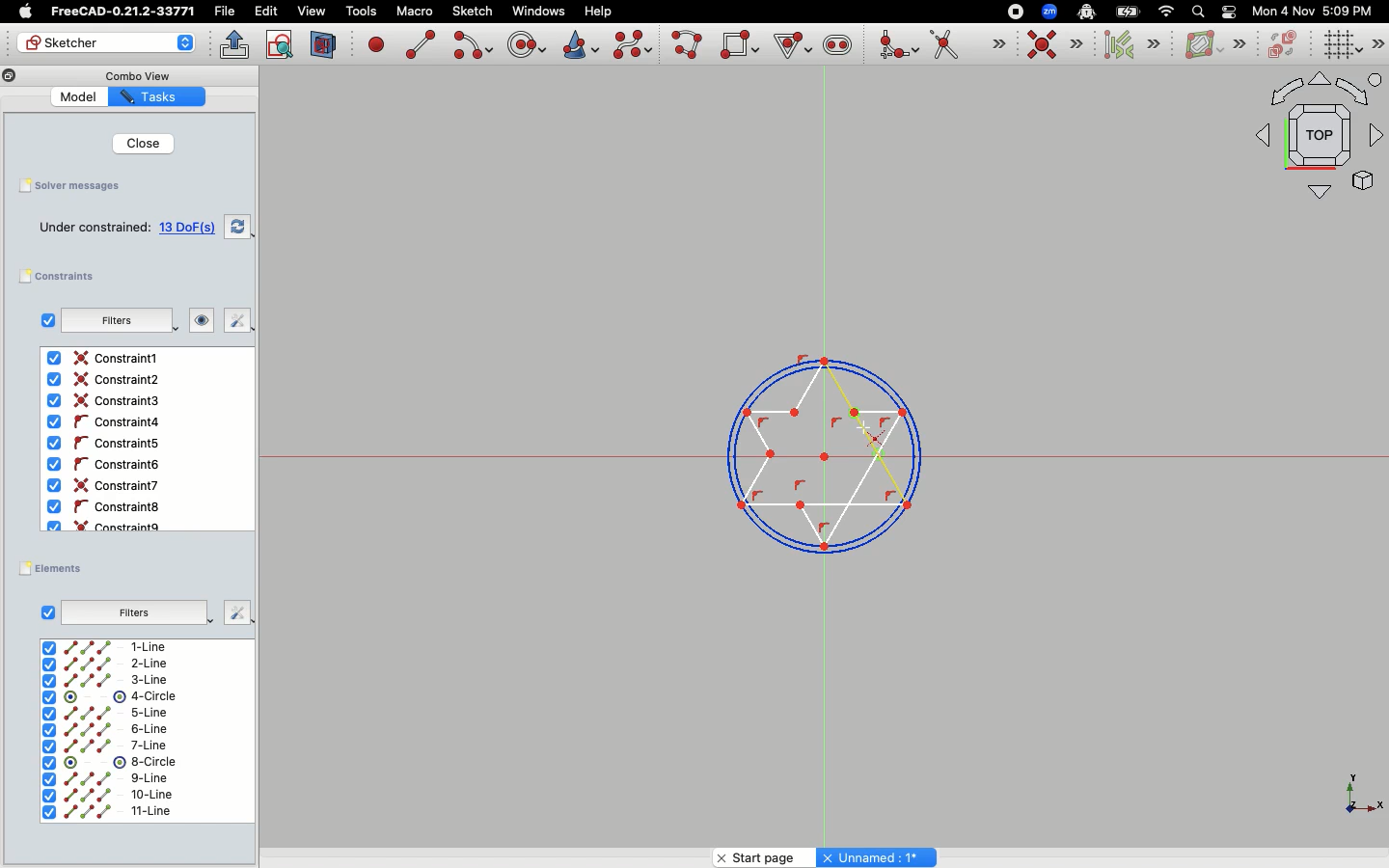 This screenshot has height=868, width=1389. Describe the element at coordinates (114, 320) in the screenshot. I see `Filters` at that location.